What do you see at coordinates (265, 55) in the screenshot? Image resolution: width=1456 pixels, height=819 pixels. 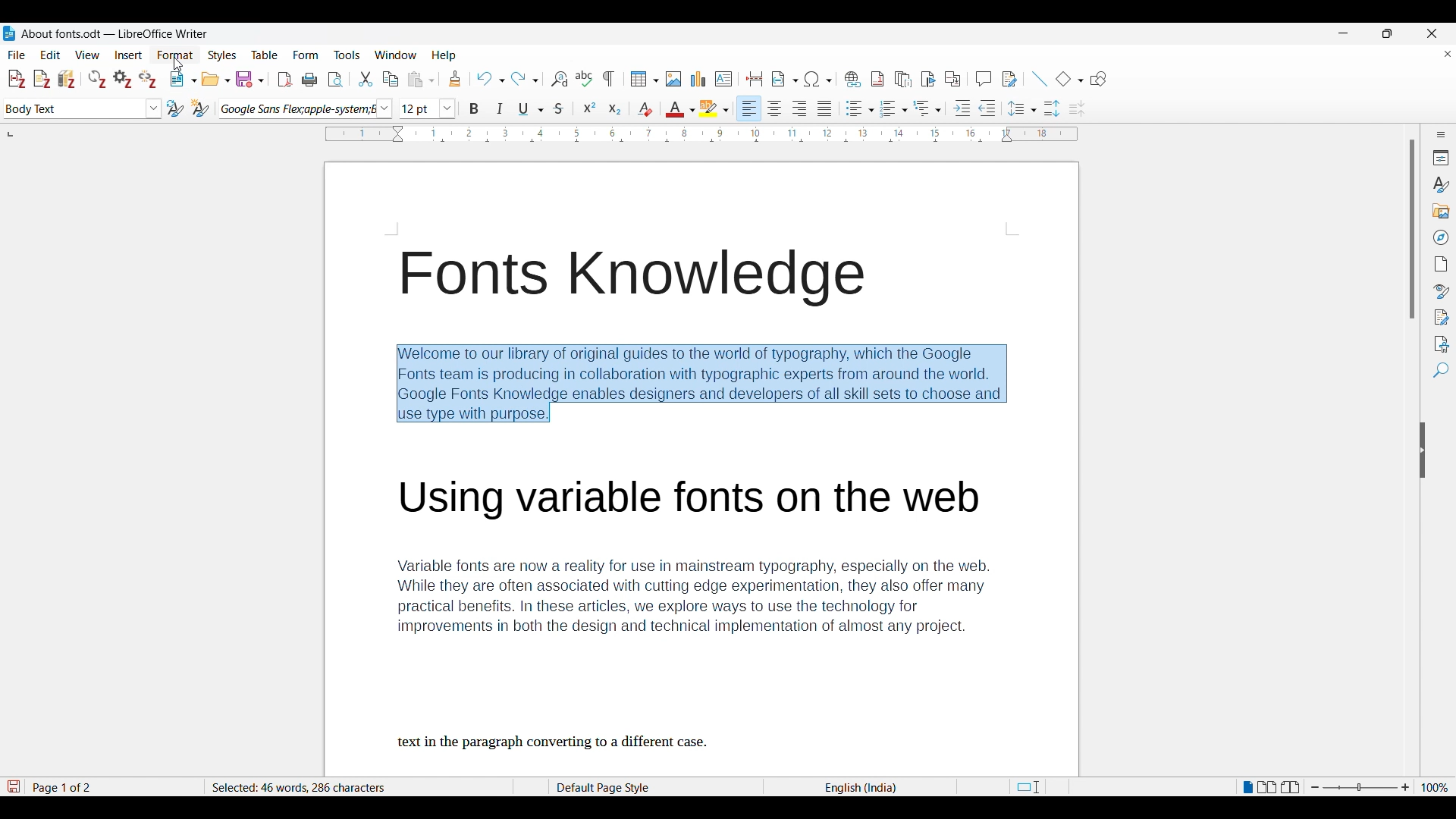 I see `Table menu` at bounding box center [265, 55].